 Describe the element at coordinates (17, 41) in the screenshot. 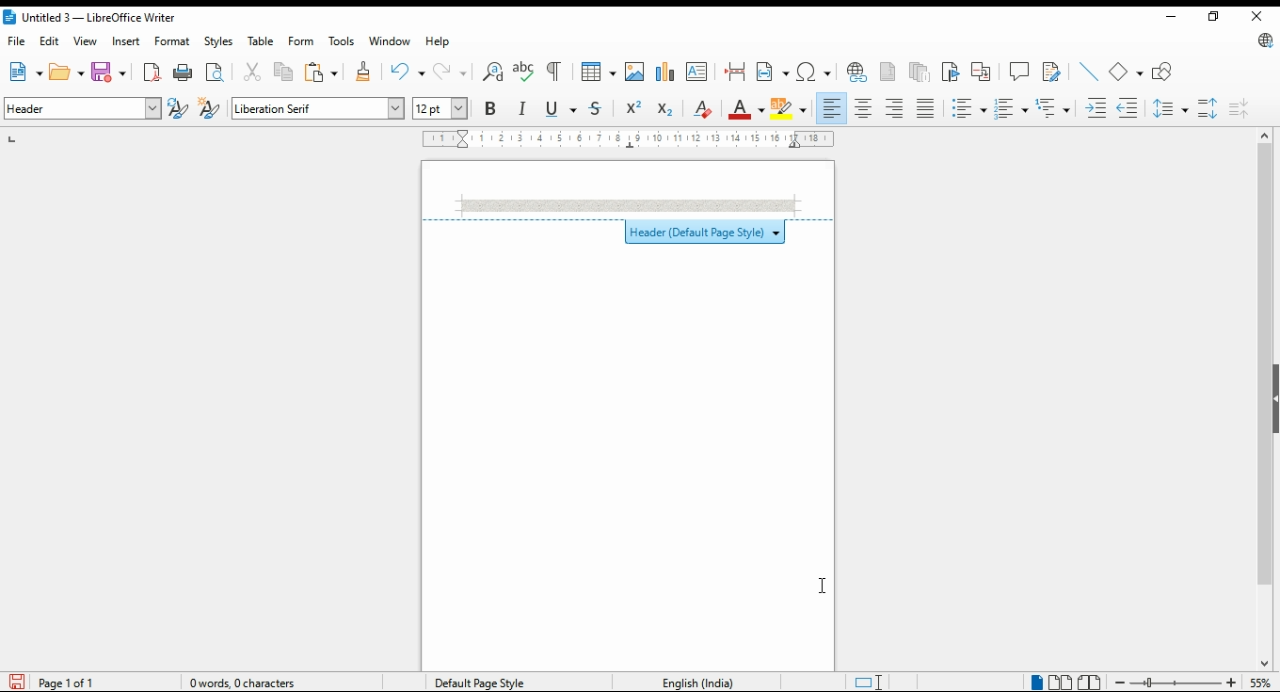

I see `file` at that location.